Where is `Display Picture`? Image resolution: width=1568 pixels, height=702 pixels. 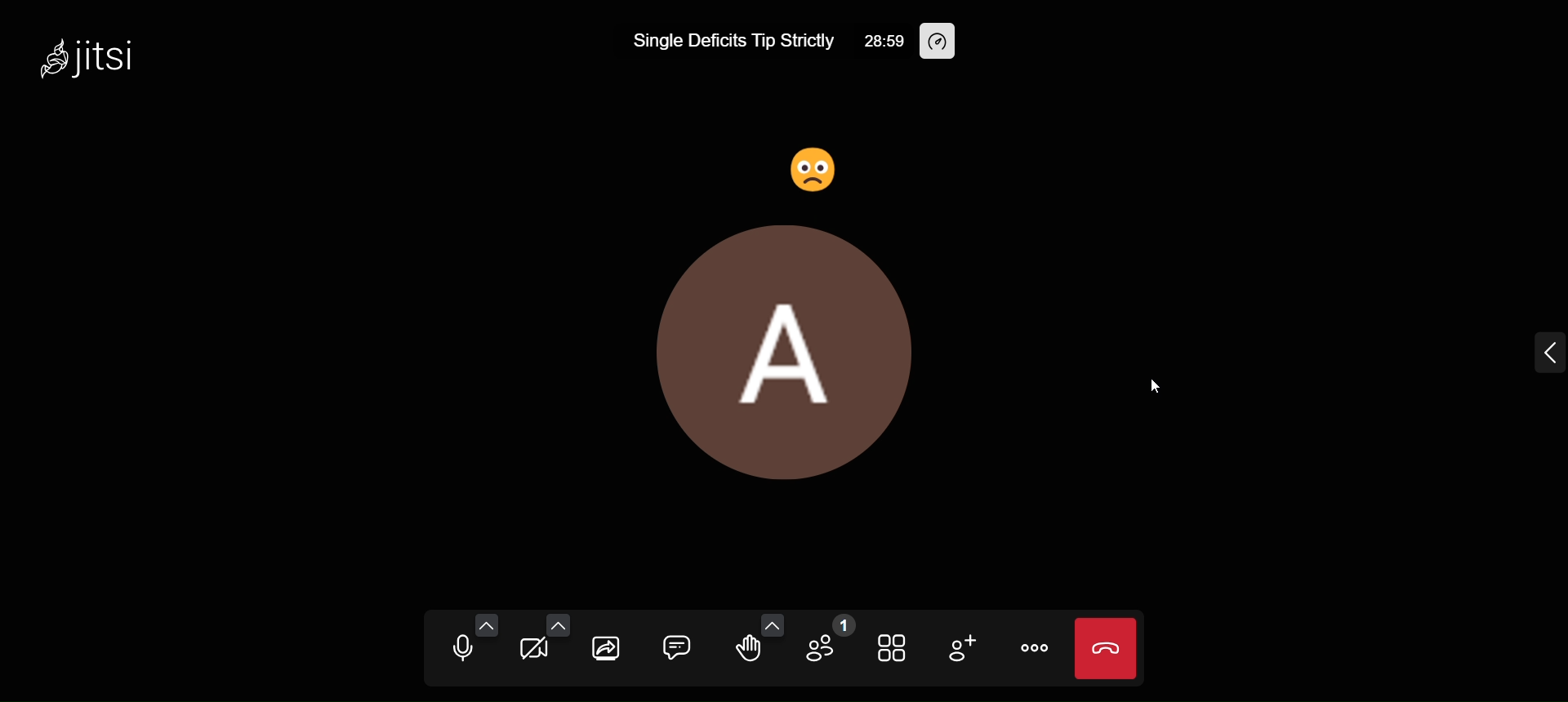
Display Picture is located at coordinates (781, 353).